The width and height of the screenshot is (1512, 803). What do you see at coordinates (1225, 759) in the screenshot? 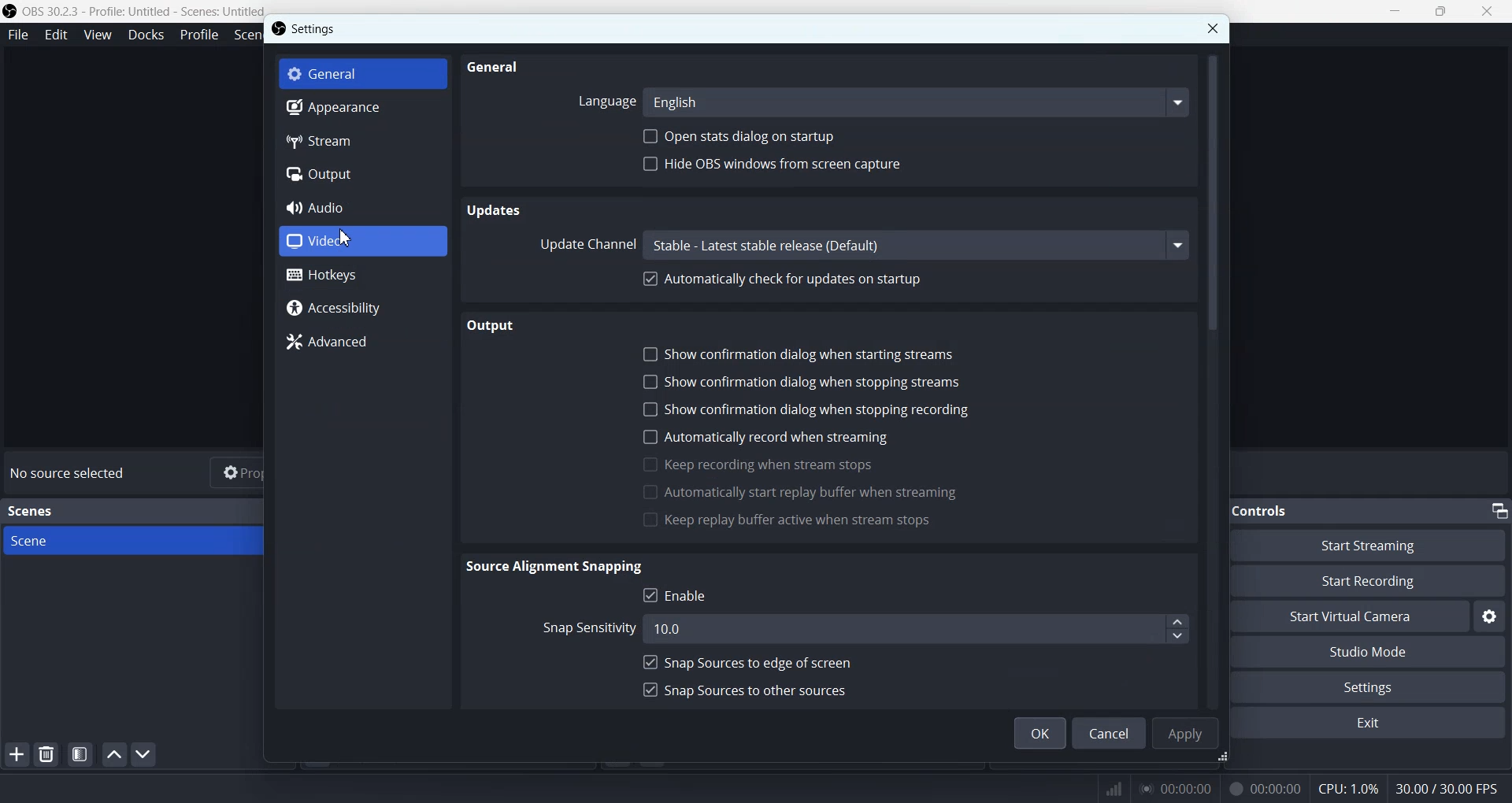
I see `Window adjuster` at bounding box center [1225, 759].